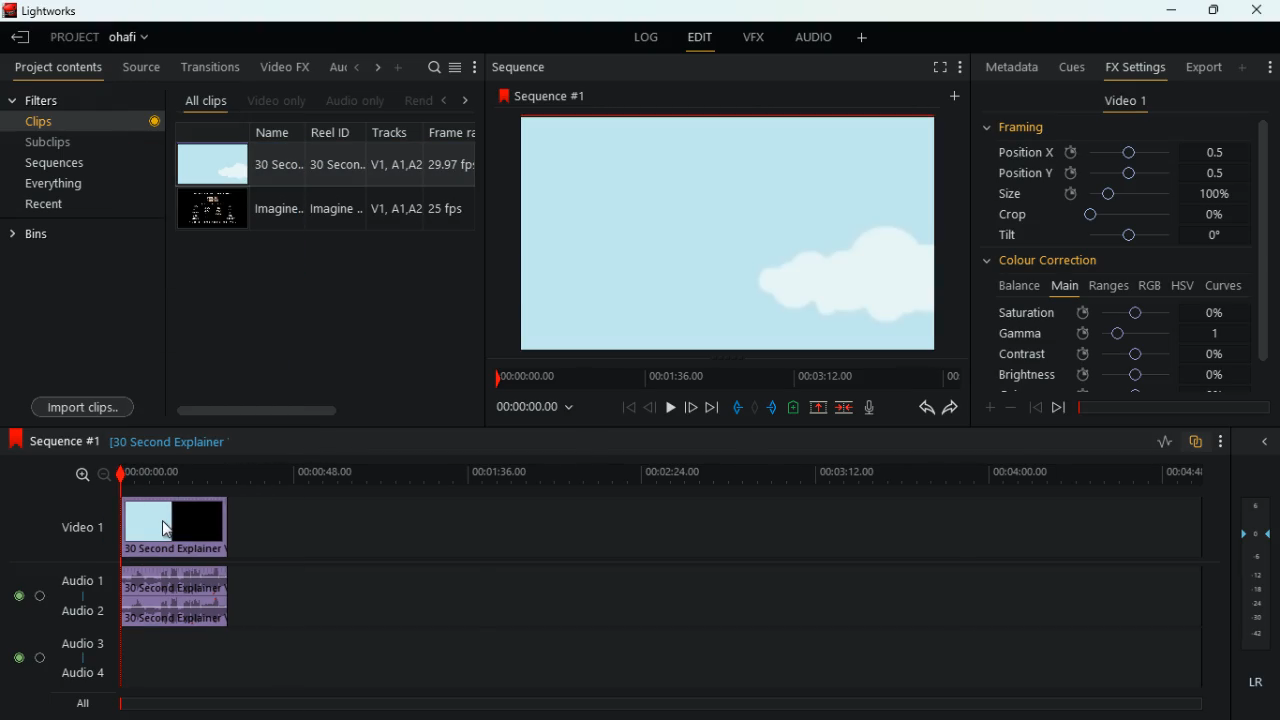 The height and width of the screenshot is (720, 1280). Describe the element at coordinates (1115, 173) in the screenshot. I see `position y` at that location.